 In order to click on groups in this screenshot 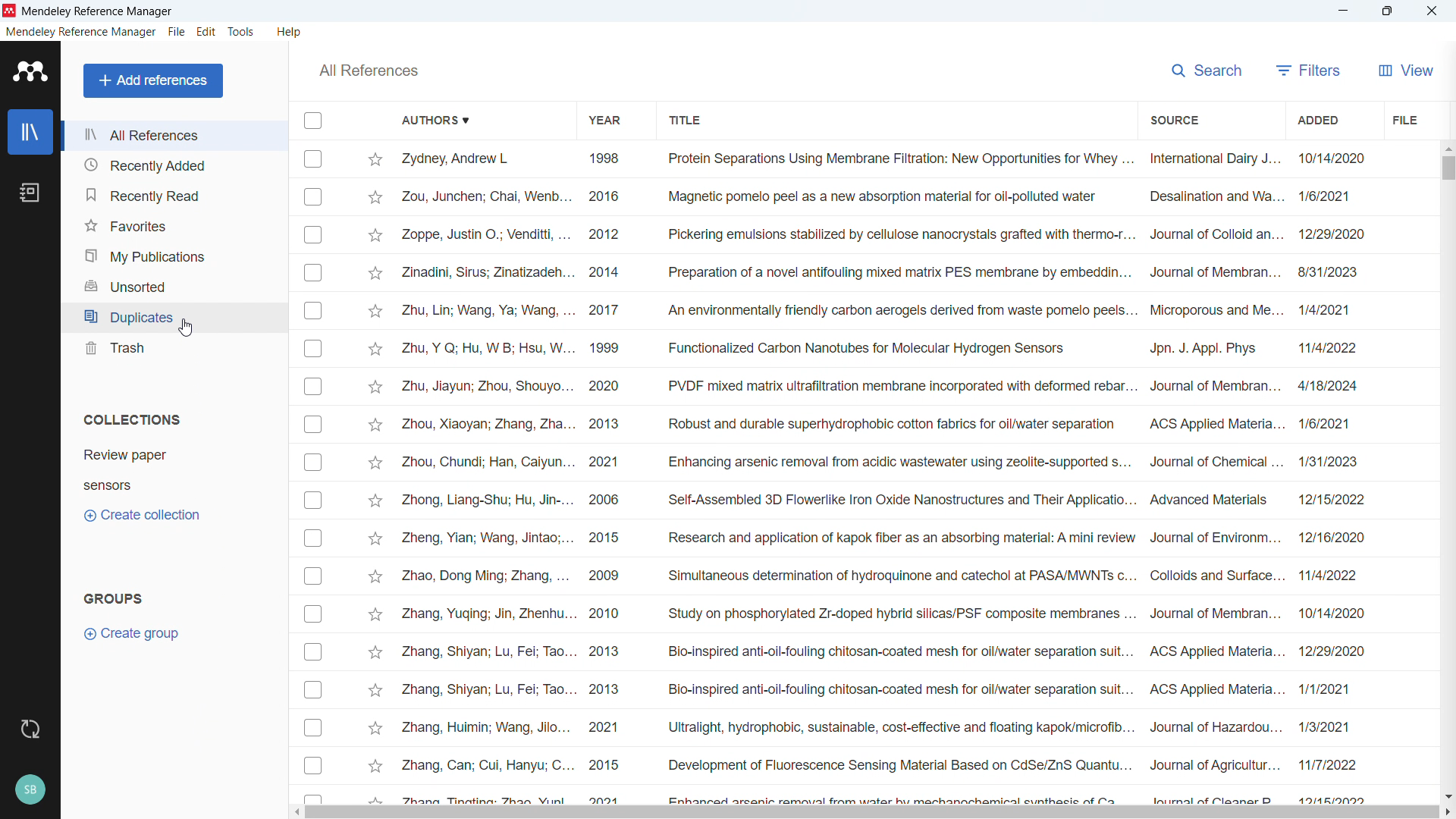, I will do `click(114, 598)`.